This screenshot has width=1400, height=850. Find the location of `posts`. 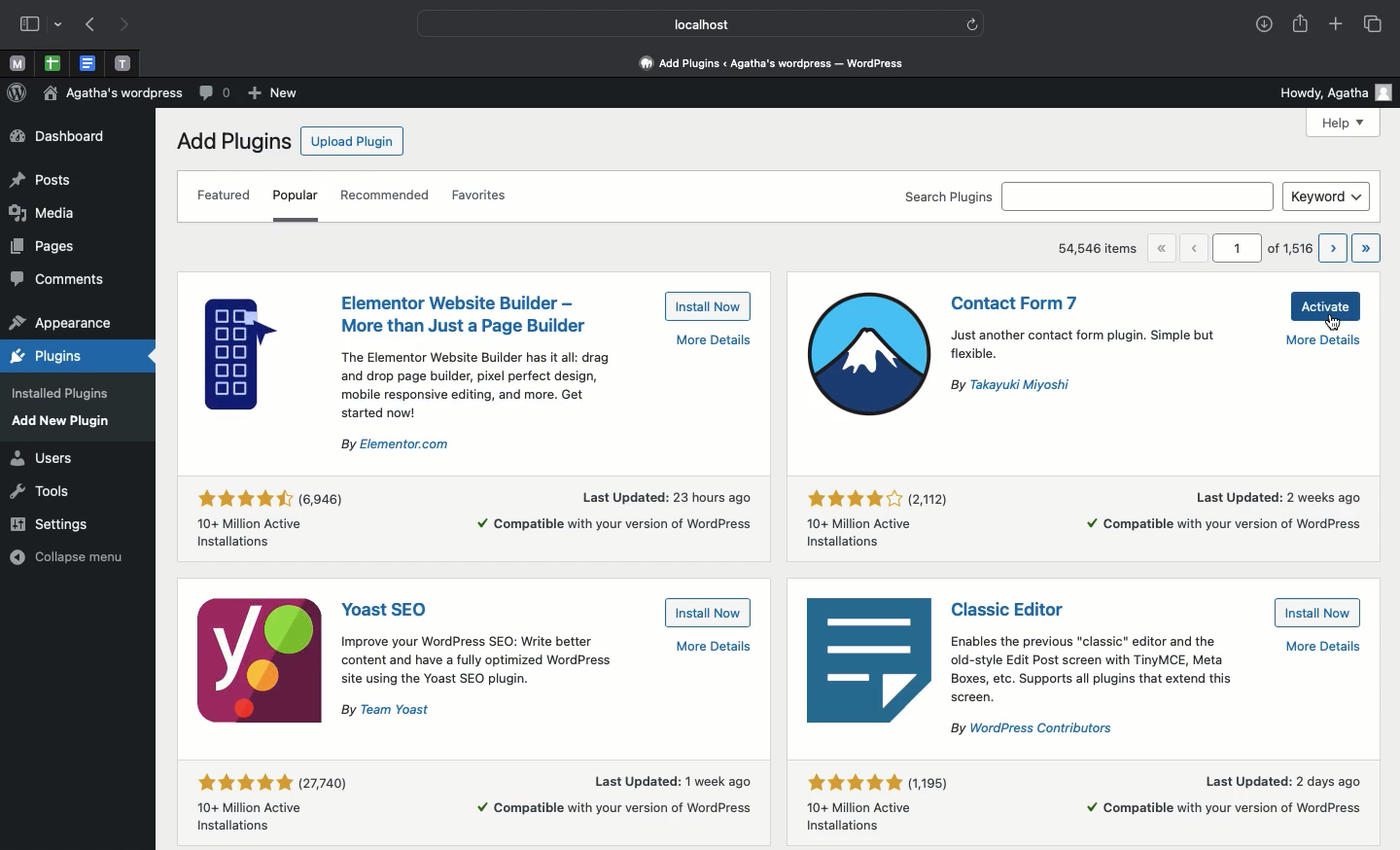

posts is located at coordinates (42, 181).